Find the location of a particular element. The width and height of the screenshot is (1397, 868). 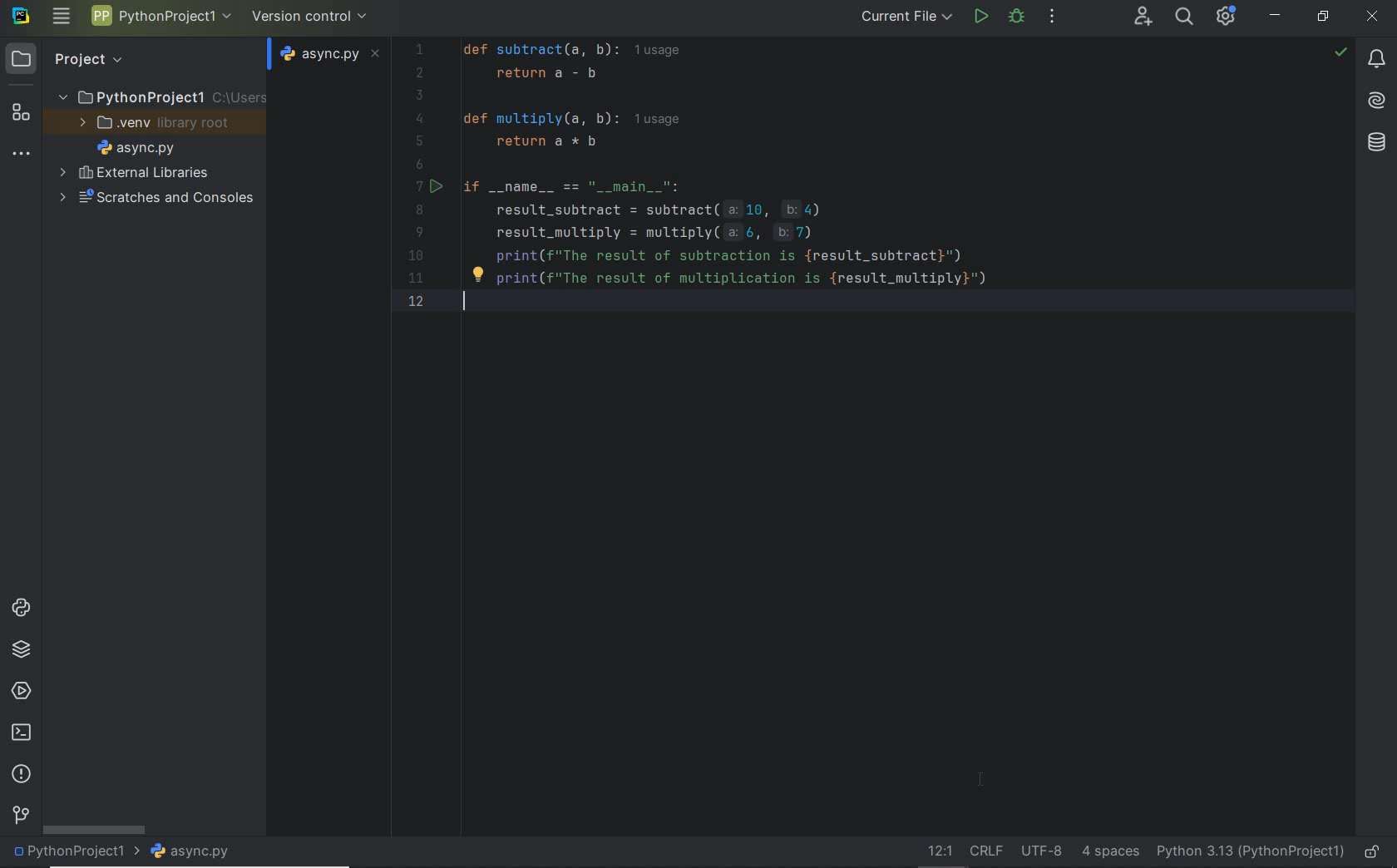

file encoding is located at coordinates (1035, 850).